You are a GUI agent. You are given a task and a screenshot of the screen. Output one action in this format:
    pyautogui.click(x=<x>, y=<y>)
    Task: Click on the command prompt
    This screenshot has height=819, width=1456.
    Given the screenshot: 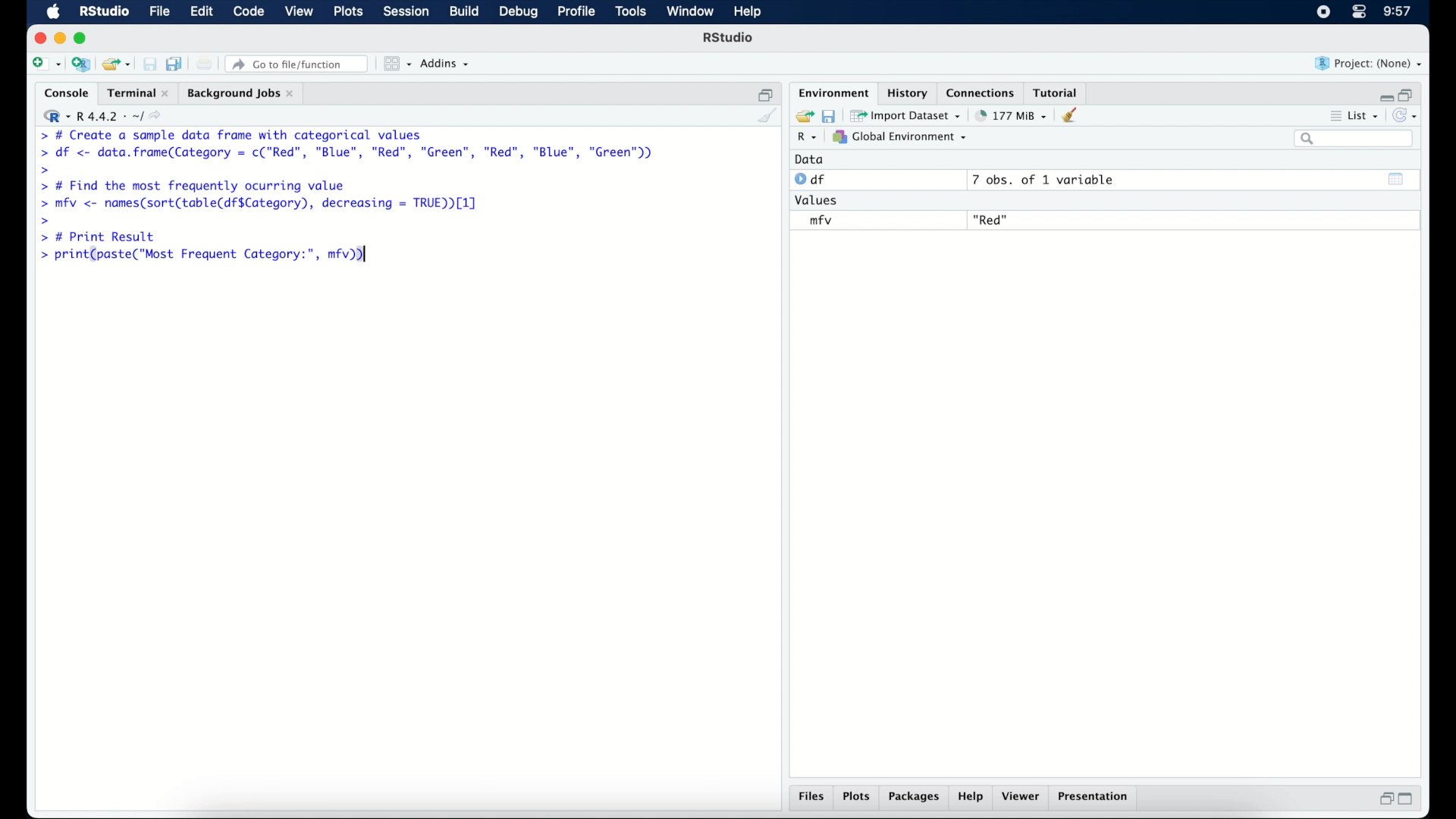 What is the action you would take?
    pyautogui.click(x=45, y=219)
    